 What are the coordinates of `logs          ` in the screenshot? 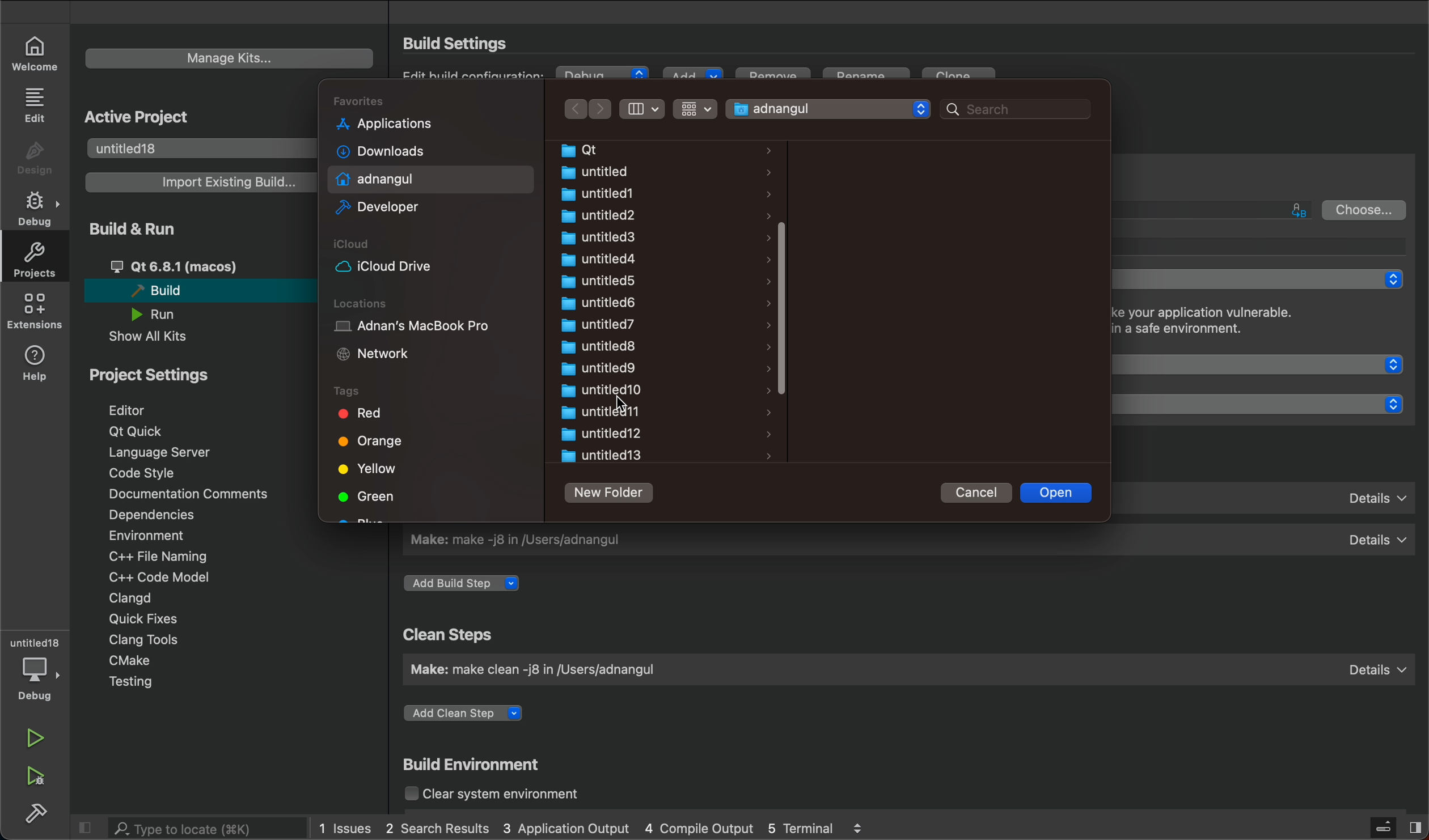 It's located at (865, 827).